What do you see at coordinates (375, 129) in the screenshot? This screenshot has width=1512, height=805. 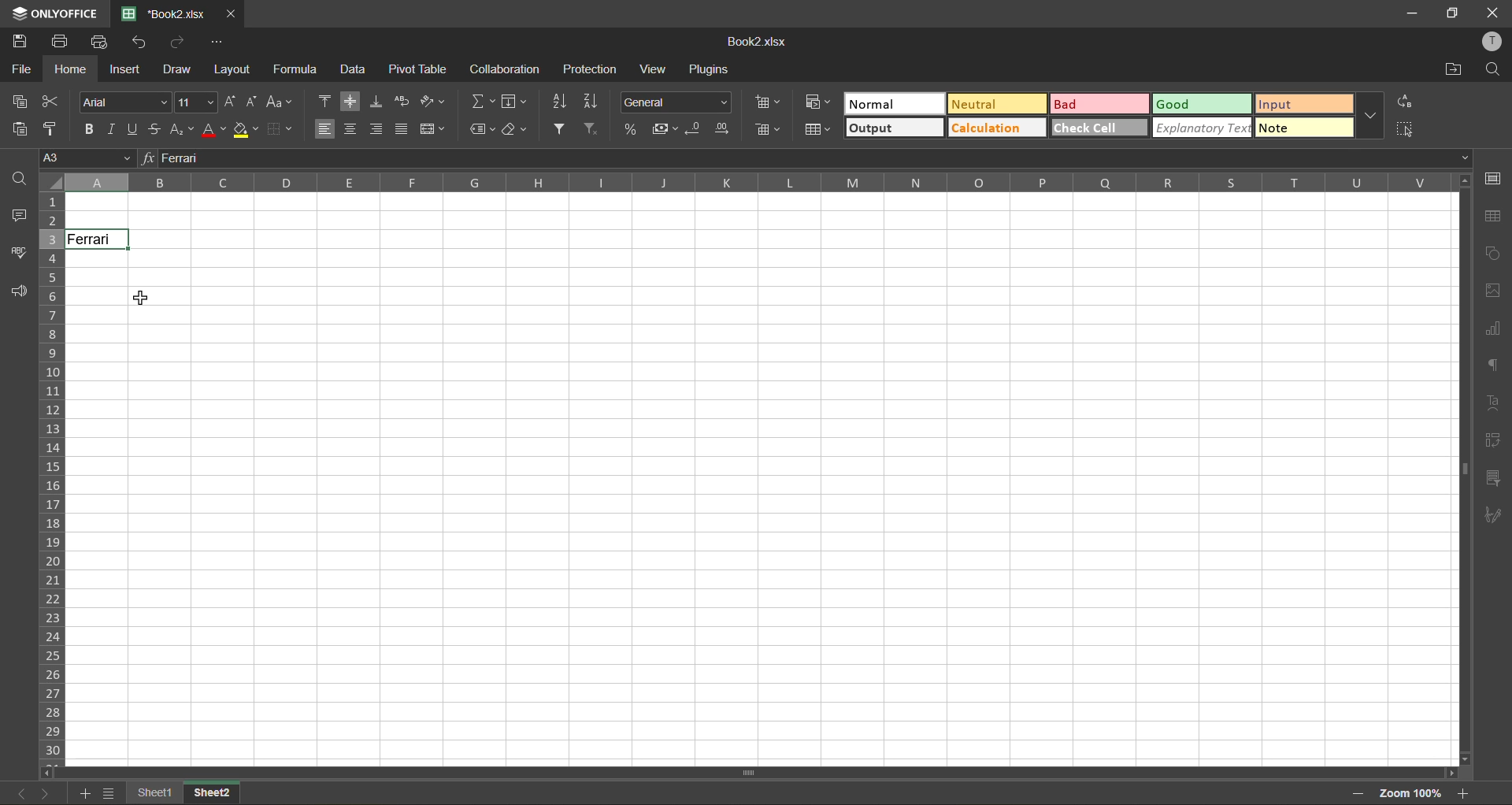 I see `align right` at bounding box center [375, 129].